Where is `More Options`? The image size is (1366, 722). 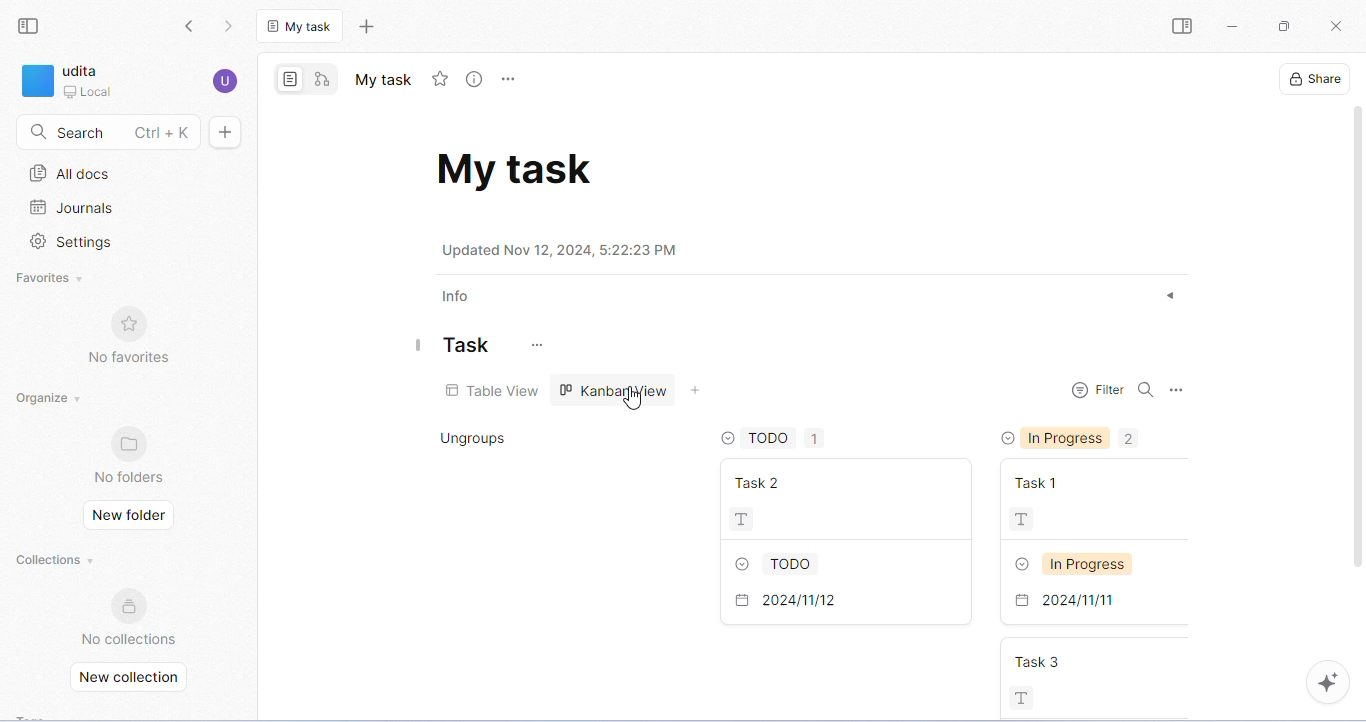
More Options is located at coordinates (1174, 391).